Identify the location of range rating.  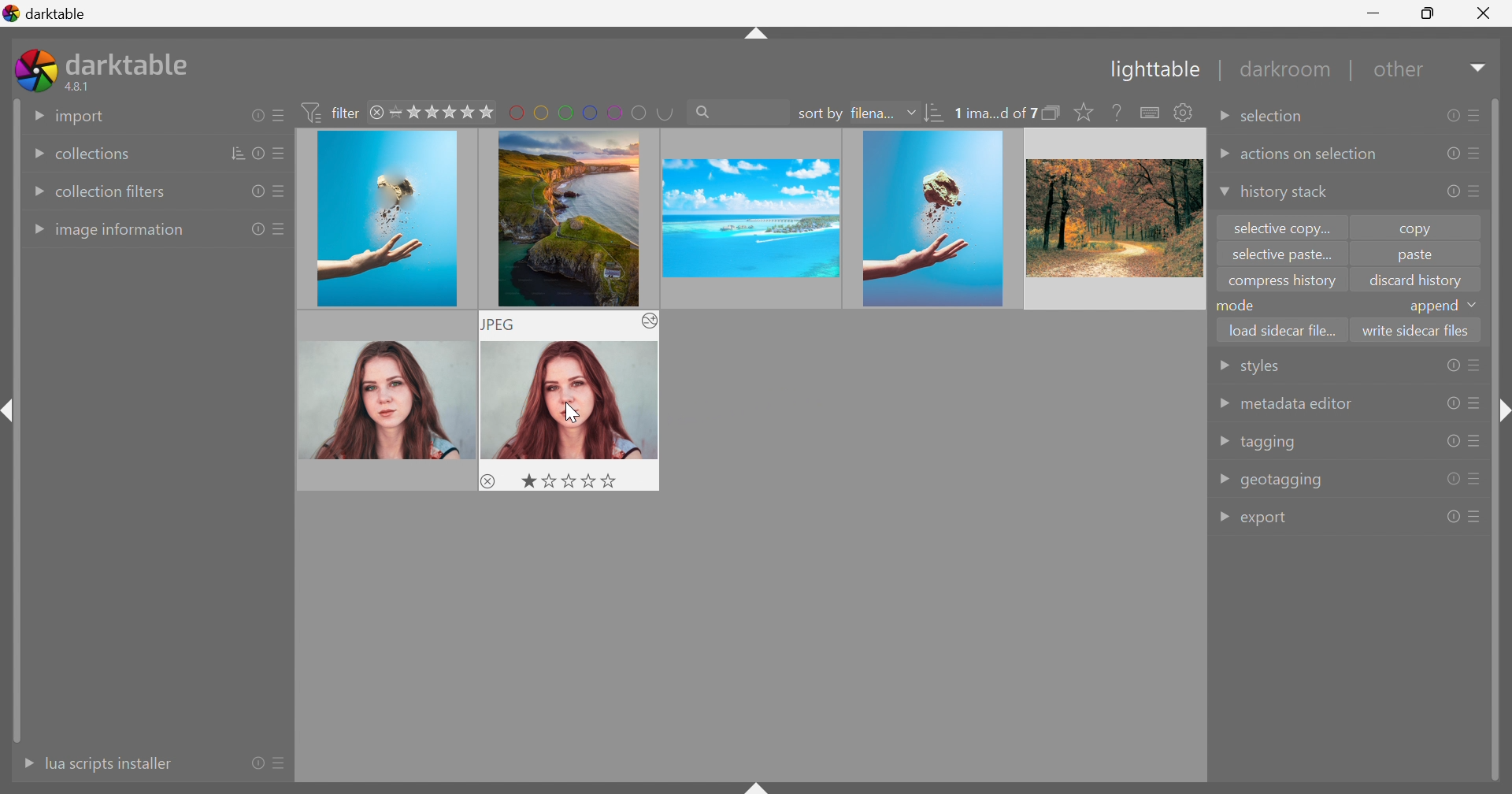
(443, 112).